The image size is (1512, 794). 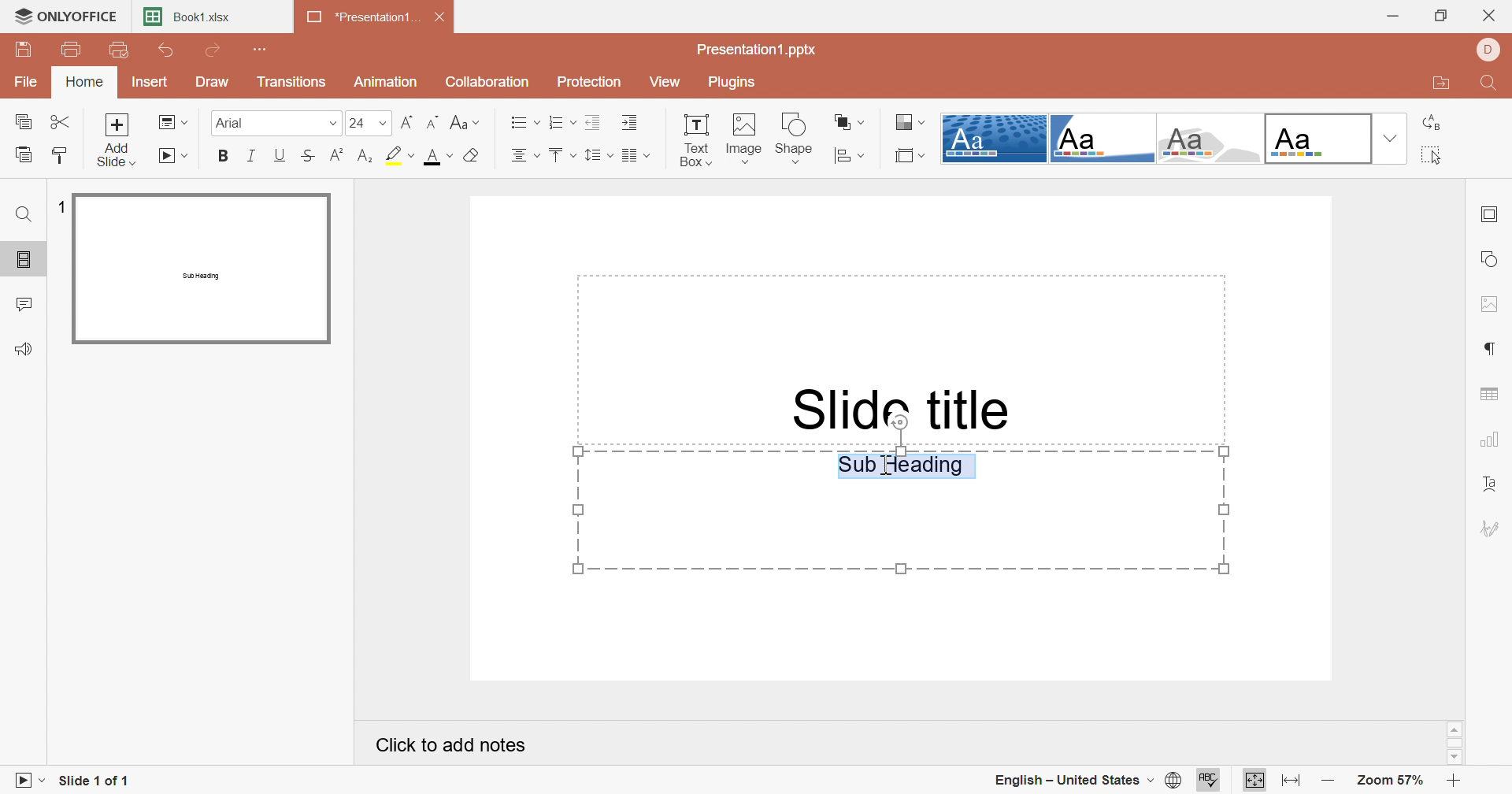 What do you see at coordinates (740, 83) in the screenshot?
I see `Plugins` at bounding box center [740, 83].